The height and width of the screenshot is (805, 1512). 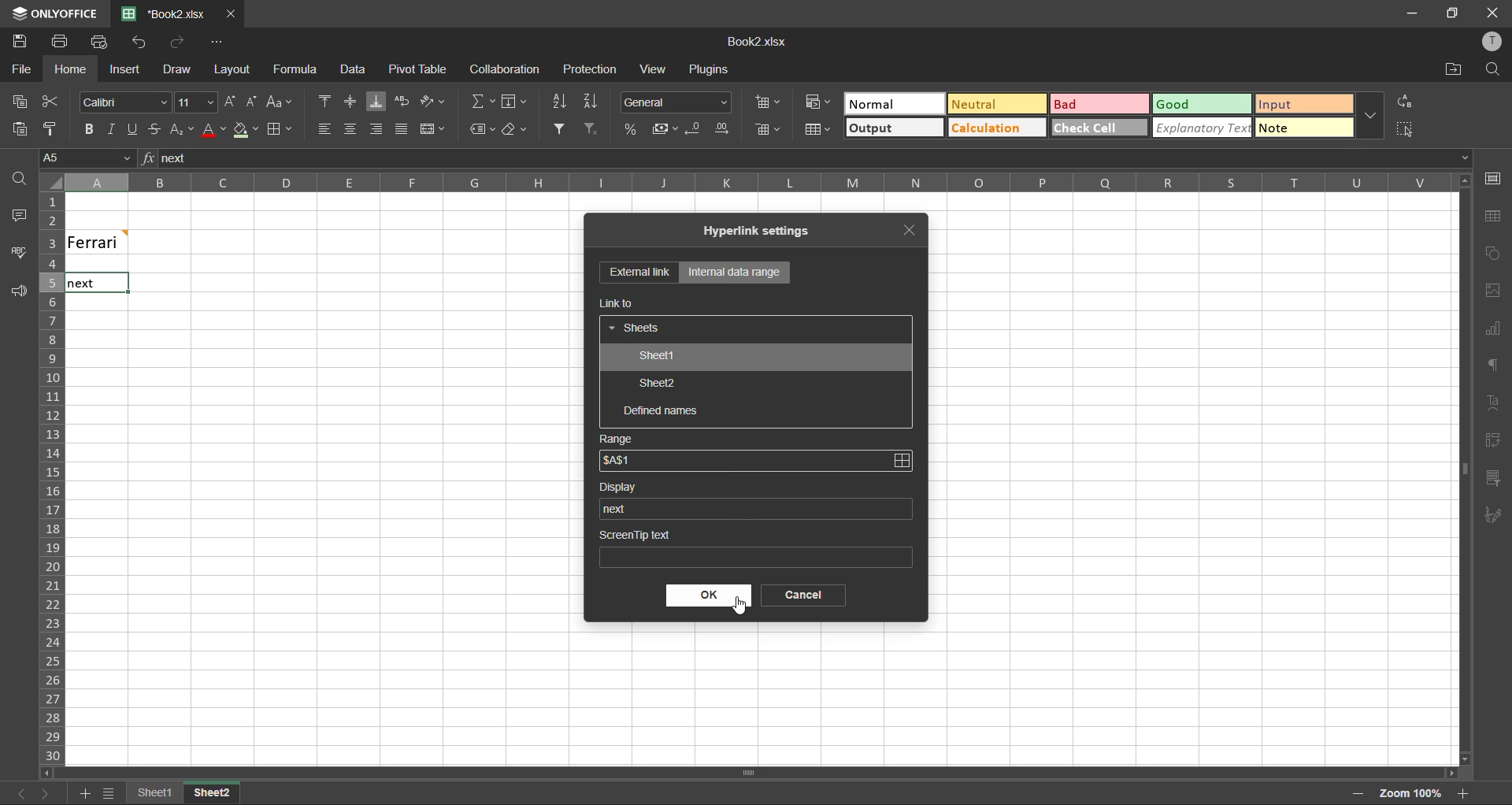 I want to click on link to, so click(x=618, y=303).